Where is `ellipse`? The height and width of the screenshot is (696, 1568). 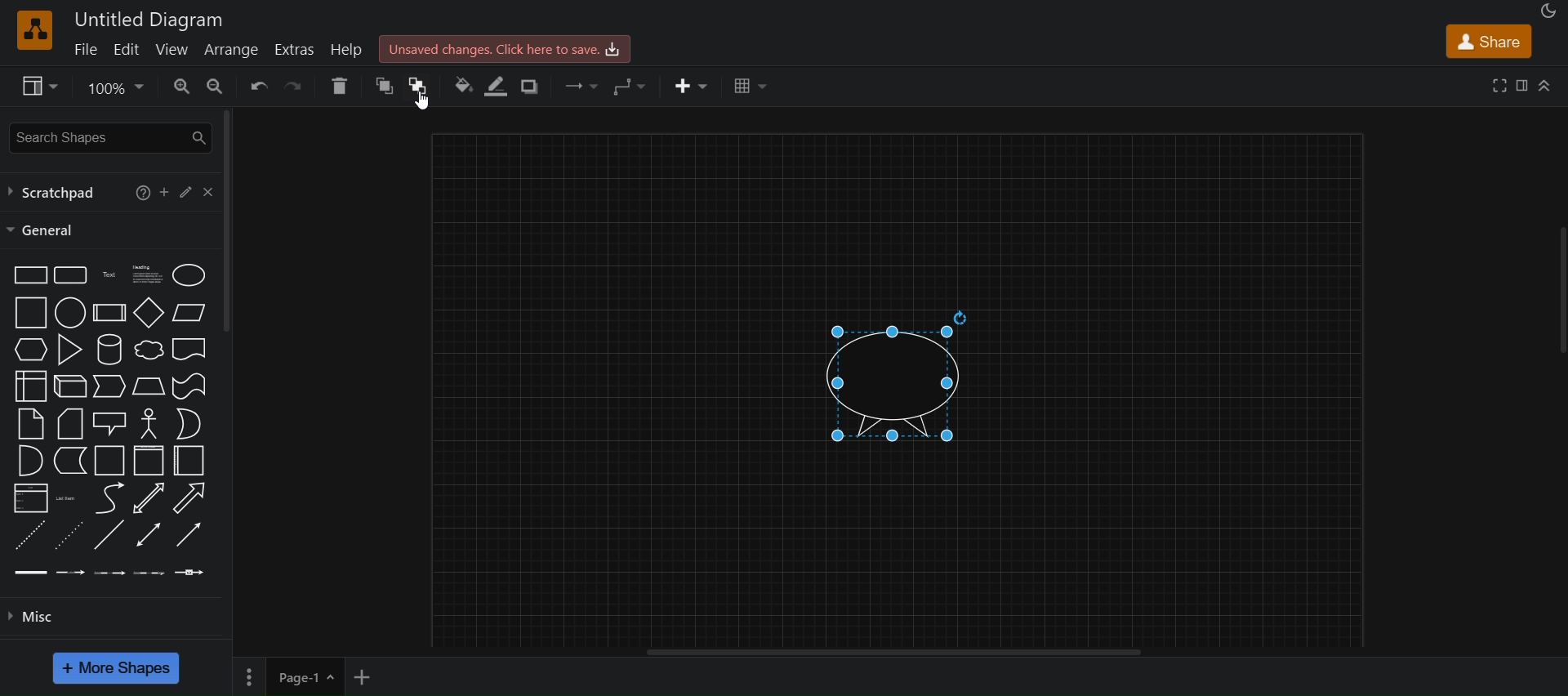 ellipse is located at coordinates (189, 274).